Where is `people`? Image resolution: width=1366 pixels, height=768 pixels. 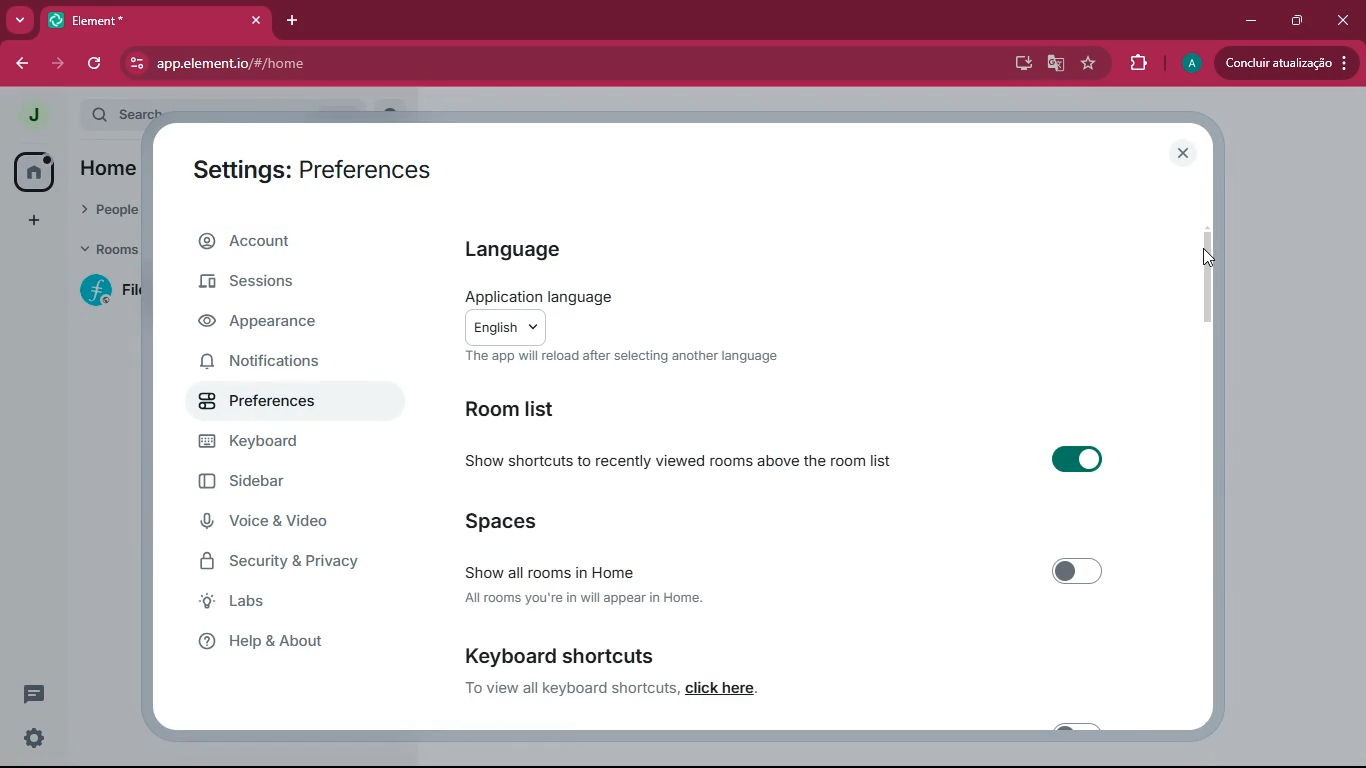
people is located at coordinates (107, 206).